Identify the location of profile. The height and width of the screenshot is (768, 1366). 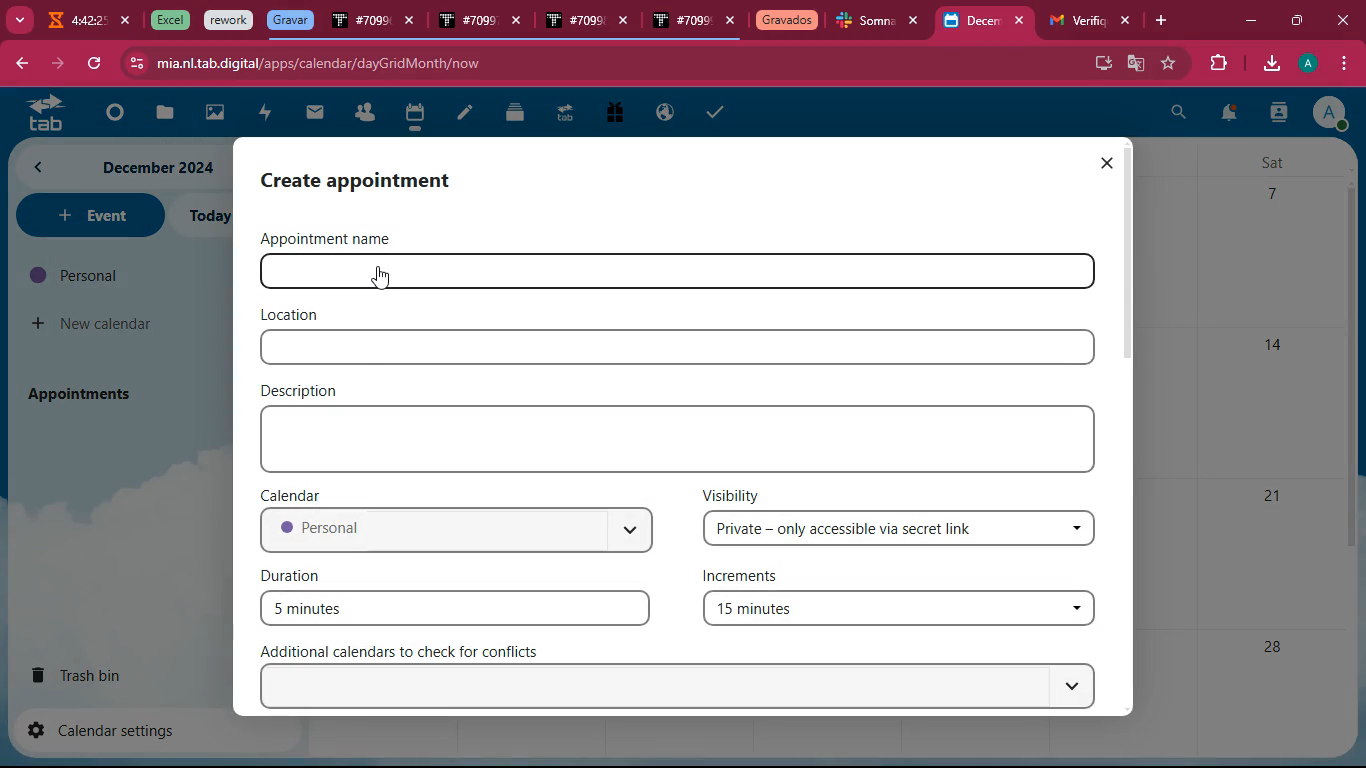
(1329, 112).